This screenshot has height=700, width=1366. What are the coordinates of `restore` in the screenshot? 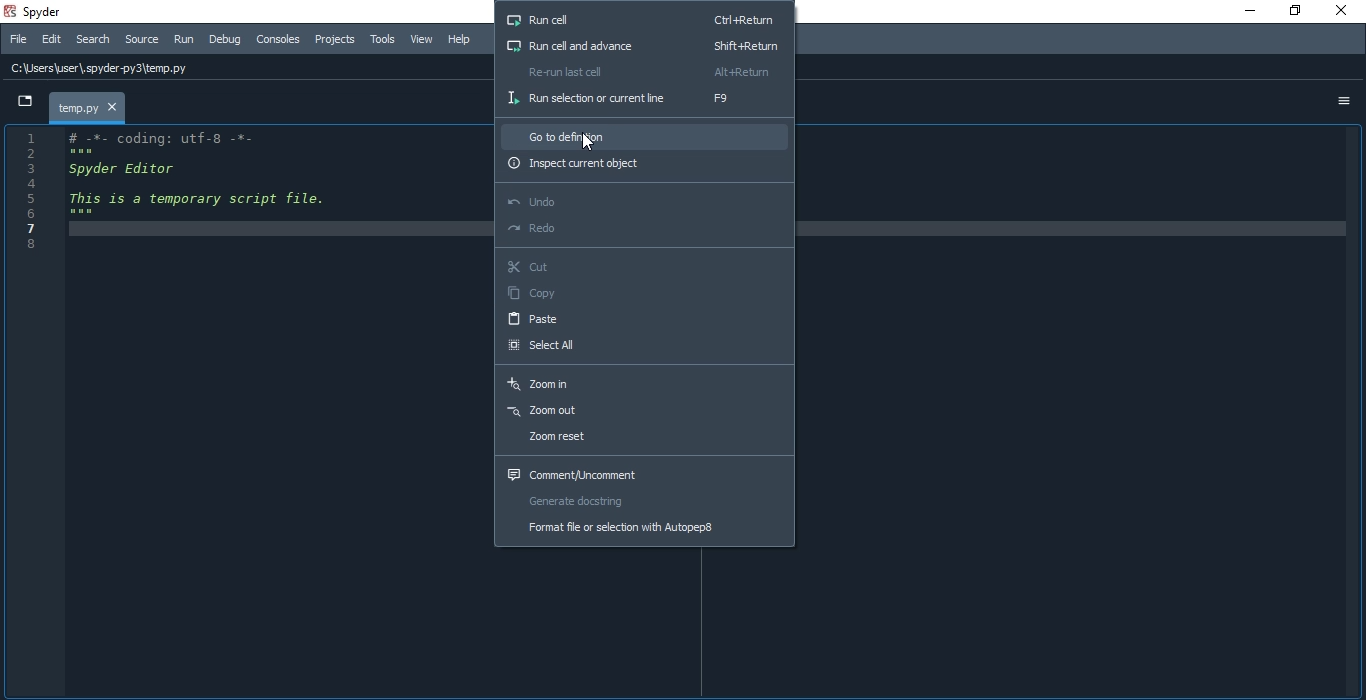 It's located at (1295, 12).